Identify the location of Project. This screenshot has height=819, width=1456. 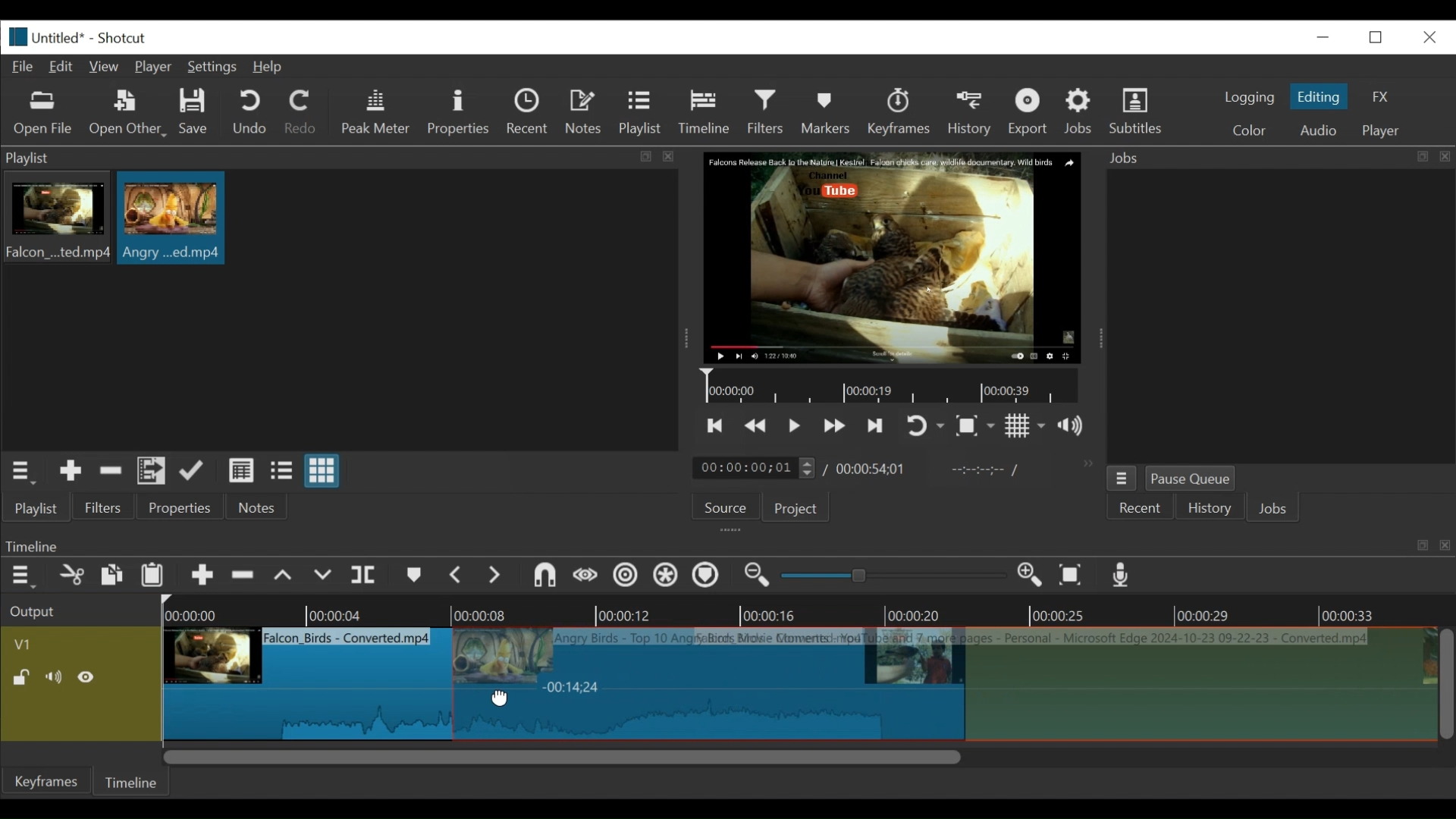
(793, 510).